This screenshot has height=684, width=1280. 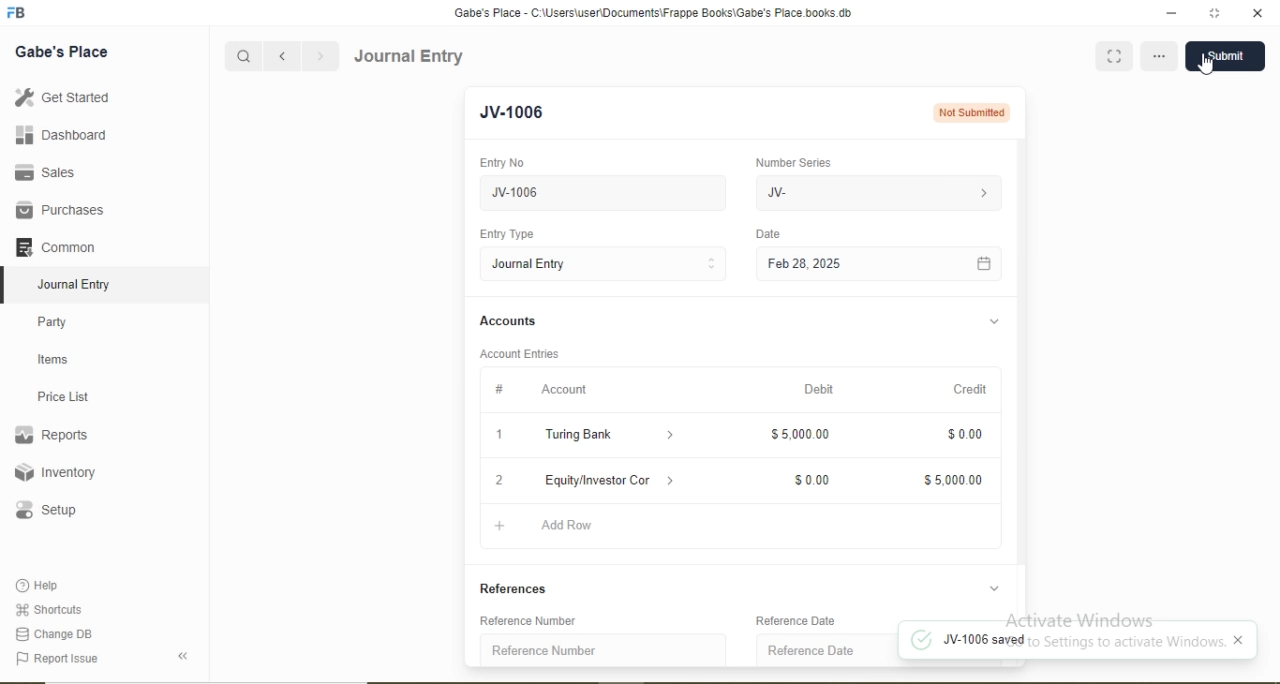 I want to click on close, so click(x=1259, y=13).